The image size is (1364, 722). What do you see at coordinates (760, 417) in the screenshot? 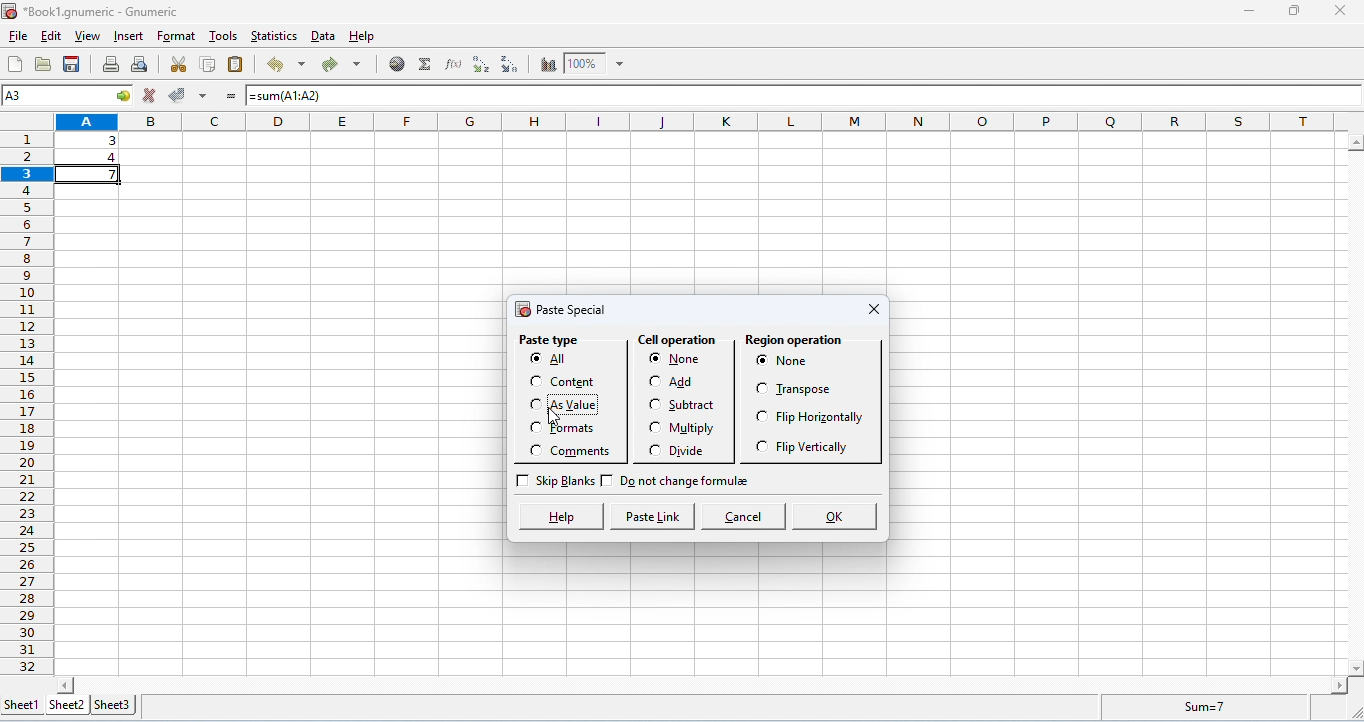
I see `Checkbox` at bounding box center [760, 417].